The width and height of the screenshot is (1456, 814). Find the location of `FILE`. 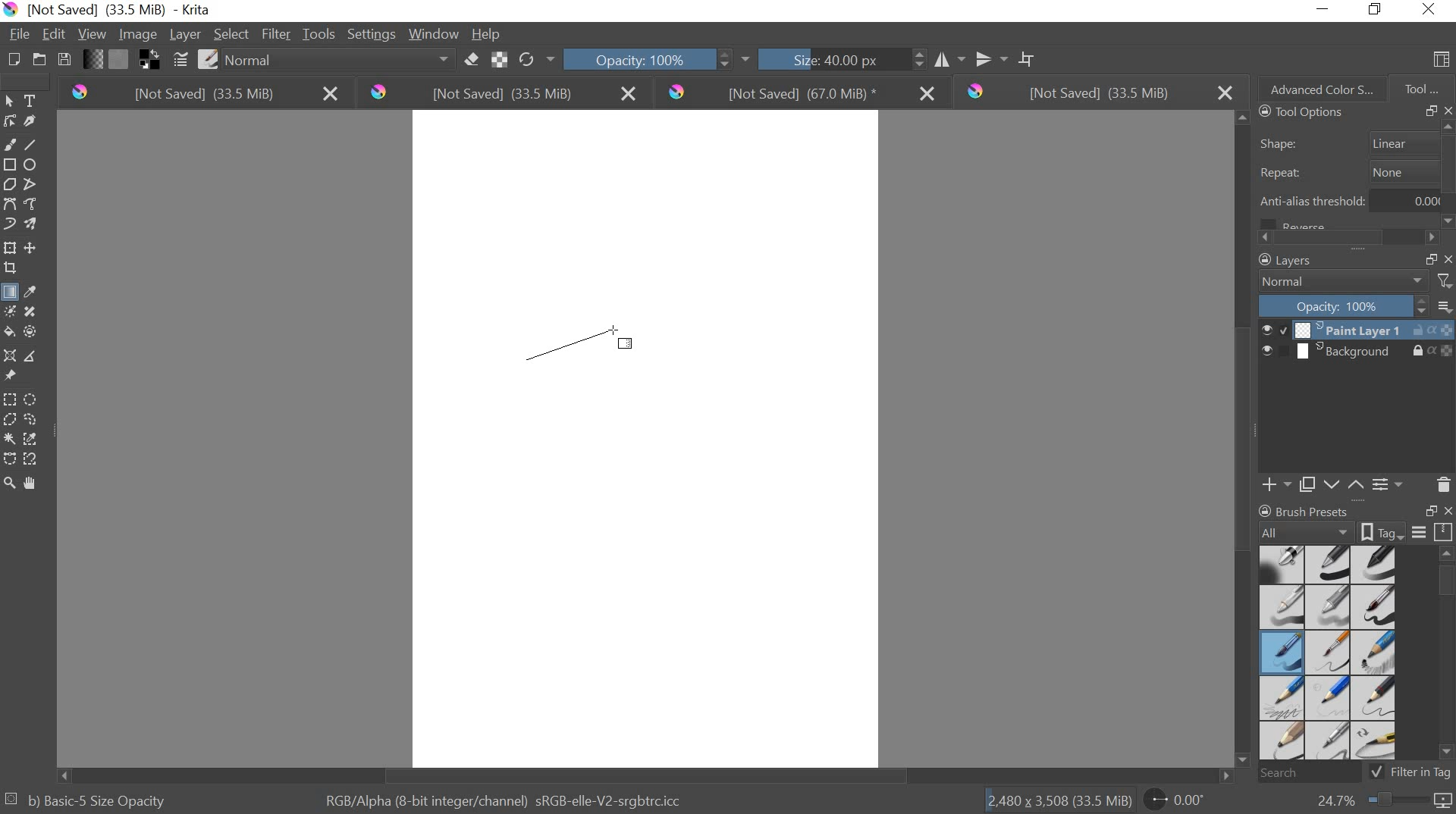

FILE is located at coordinates (18, 34).